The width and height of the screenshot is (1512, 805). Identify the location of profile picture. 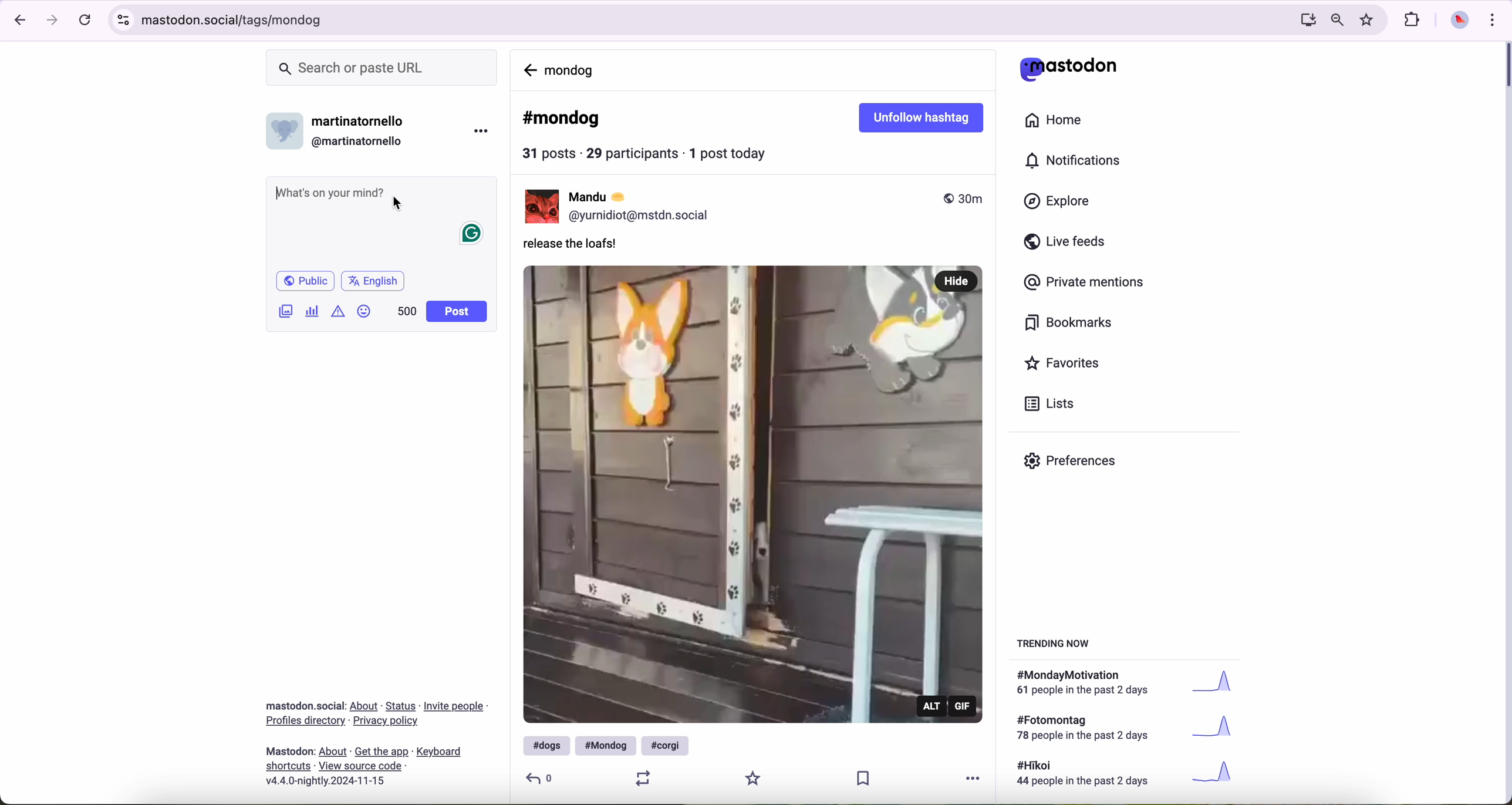
(1460, 22).